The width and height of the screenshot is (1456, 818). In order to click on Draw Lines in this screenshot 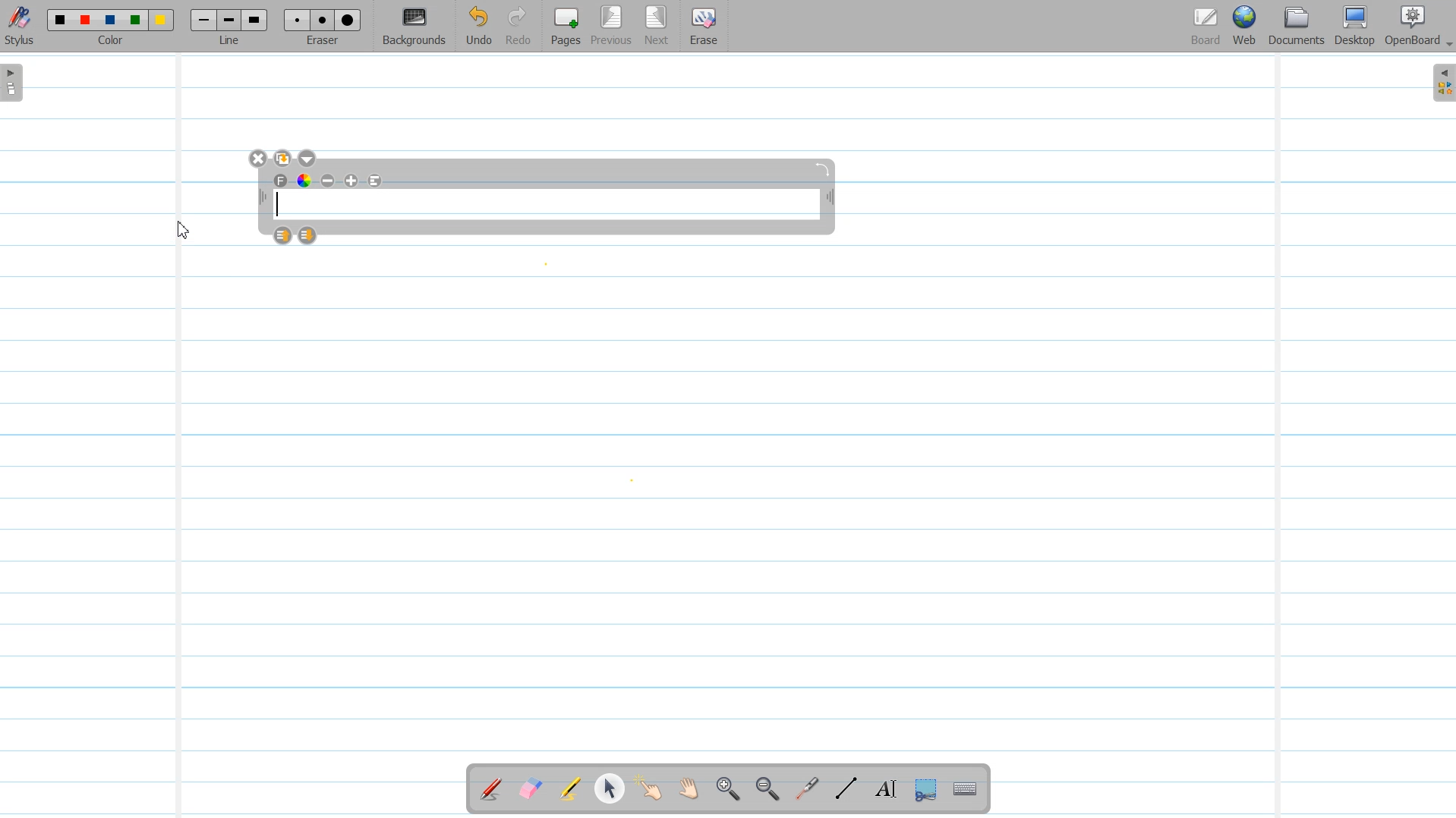, I will do `click(846, 789)`.